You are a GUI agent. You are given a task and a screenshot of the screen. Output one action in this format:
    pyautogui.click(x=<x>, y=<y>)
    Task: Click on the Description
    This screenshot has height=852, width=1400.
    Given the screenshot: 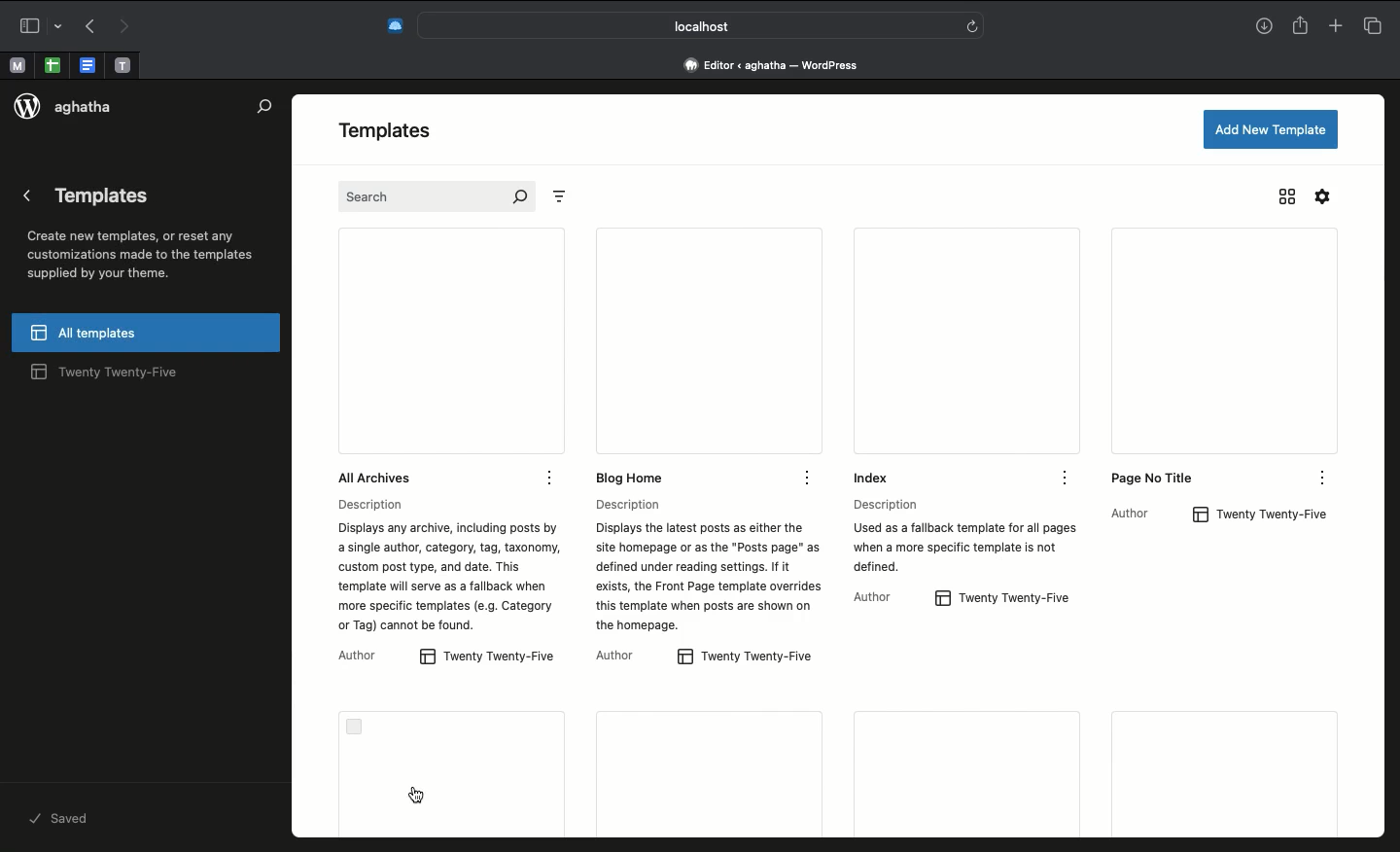 What is the action you would take?
    pyautogui.click(x=447, y=564)
    